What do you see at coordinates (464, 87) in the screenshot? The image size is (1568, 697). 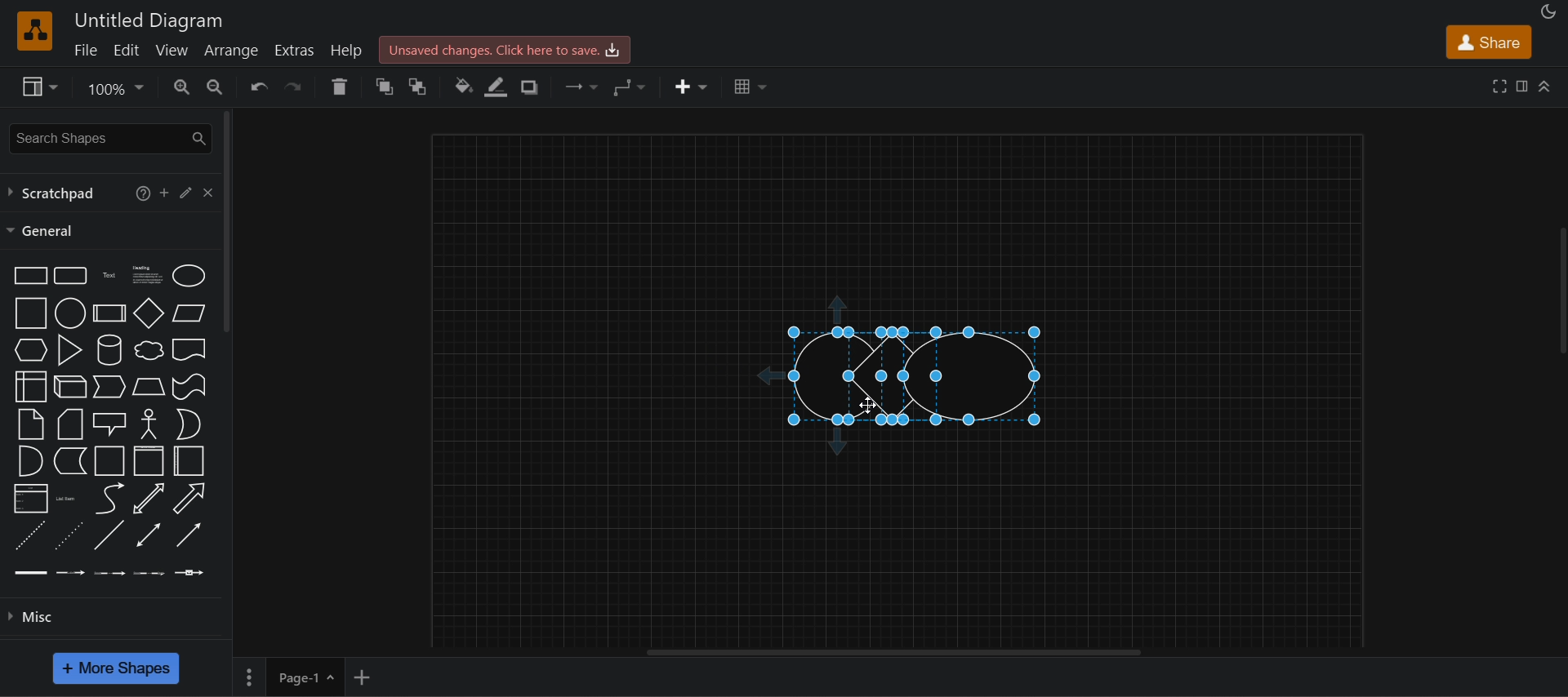 I see `fill color` at bounding box center [464, 87].